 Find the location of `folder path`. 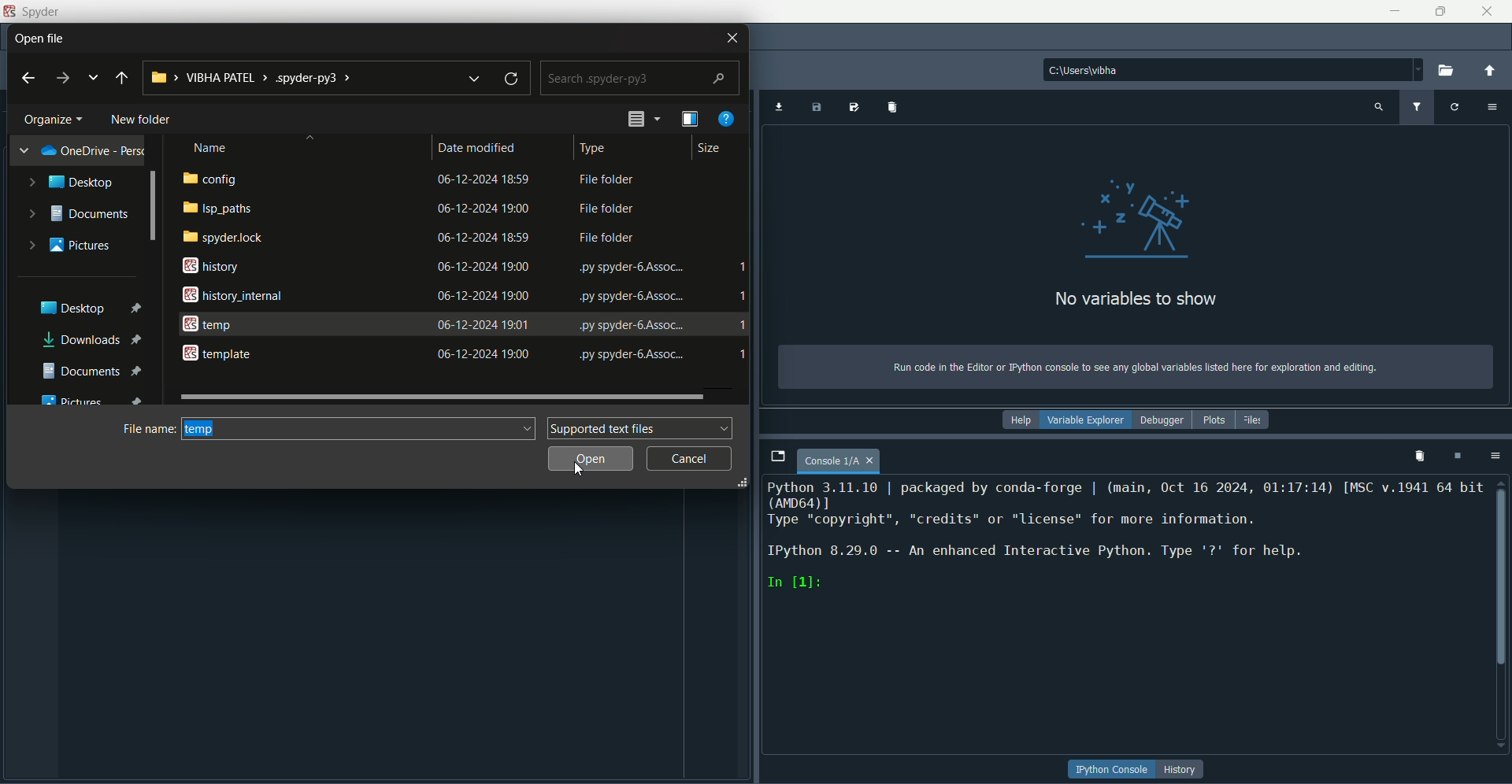

folder path is located at coordinates (300, 77).